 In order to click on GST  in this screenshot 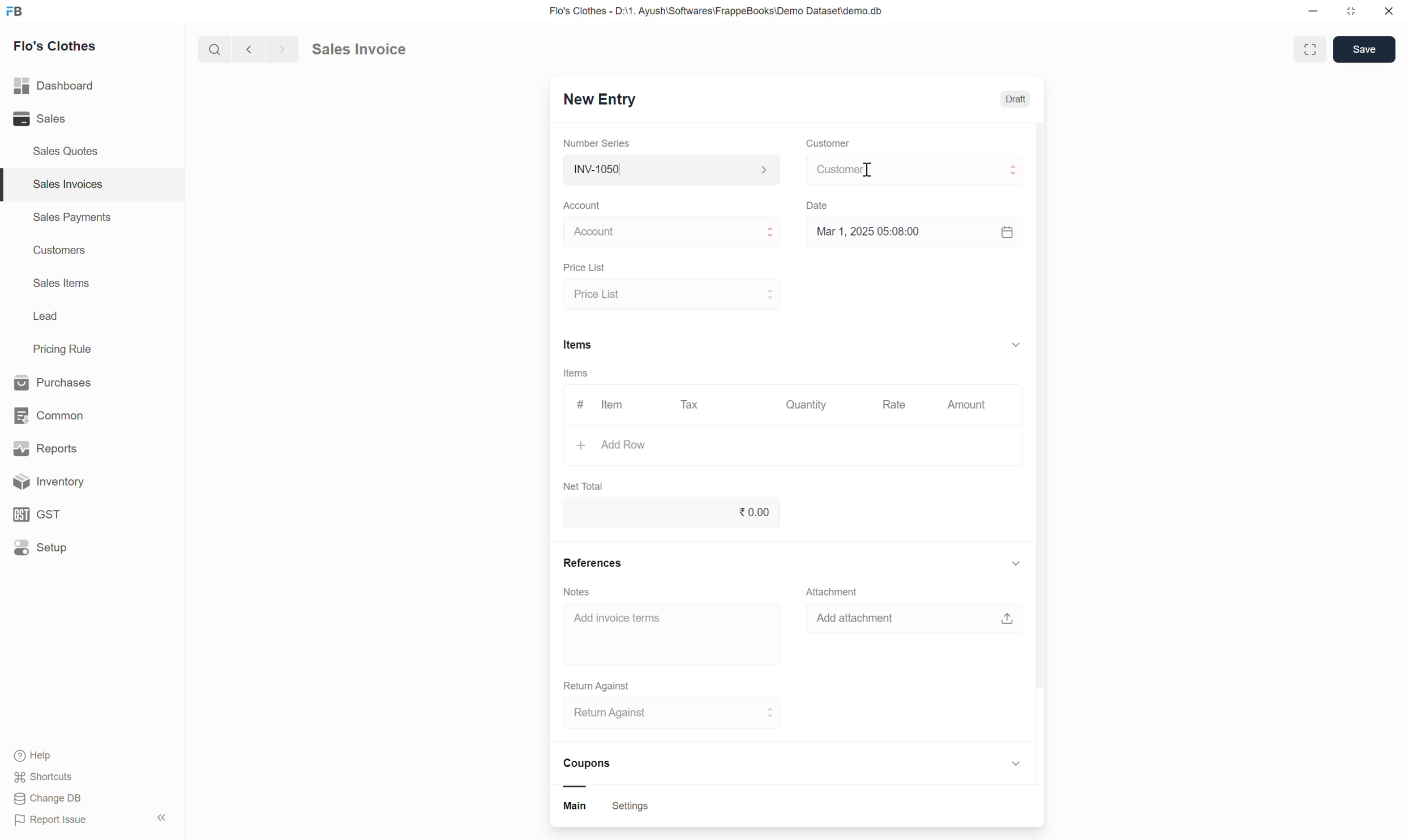, I will do `click(79, 513)`.